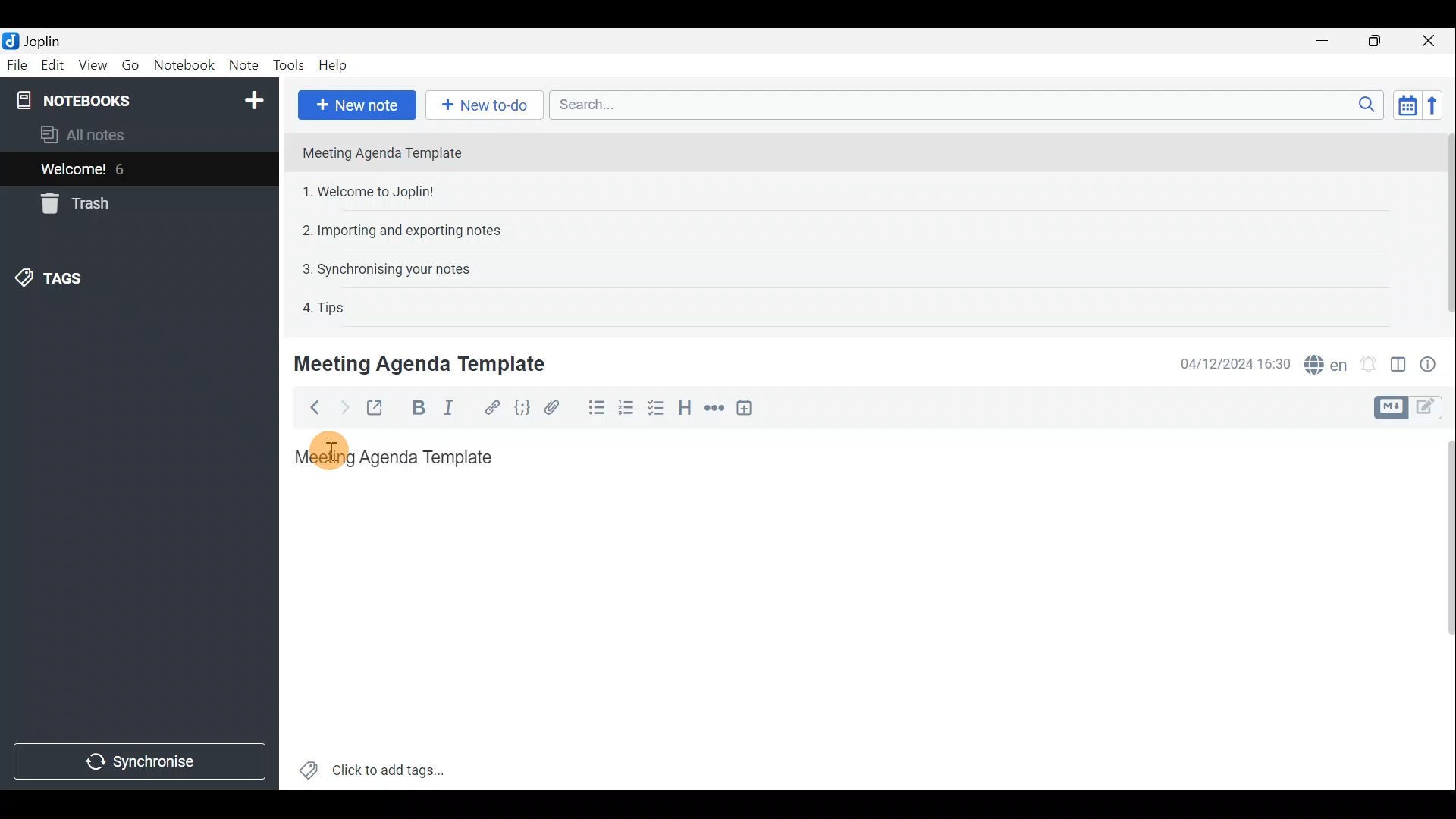  What do you see at coordinates (494, 407) in the screenshot?
I see `Hyperlink` at bounding box center [494, 407].